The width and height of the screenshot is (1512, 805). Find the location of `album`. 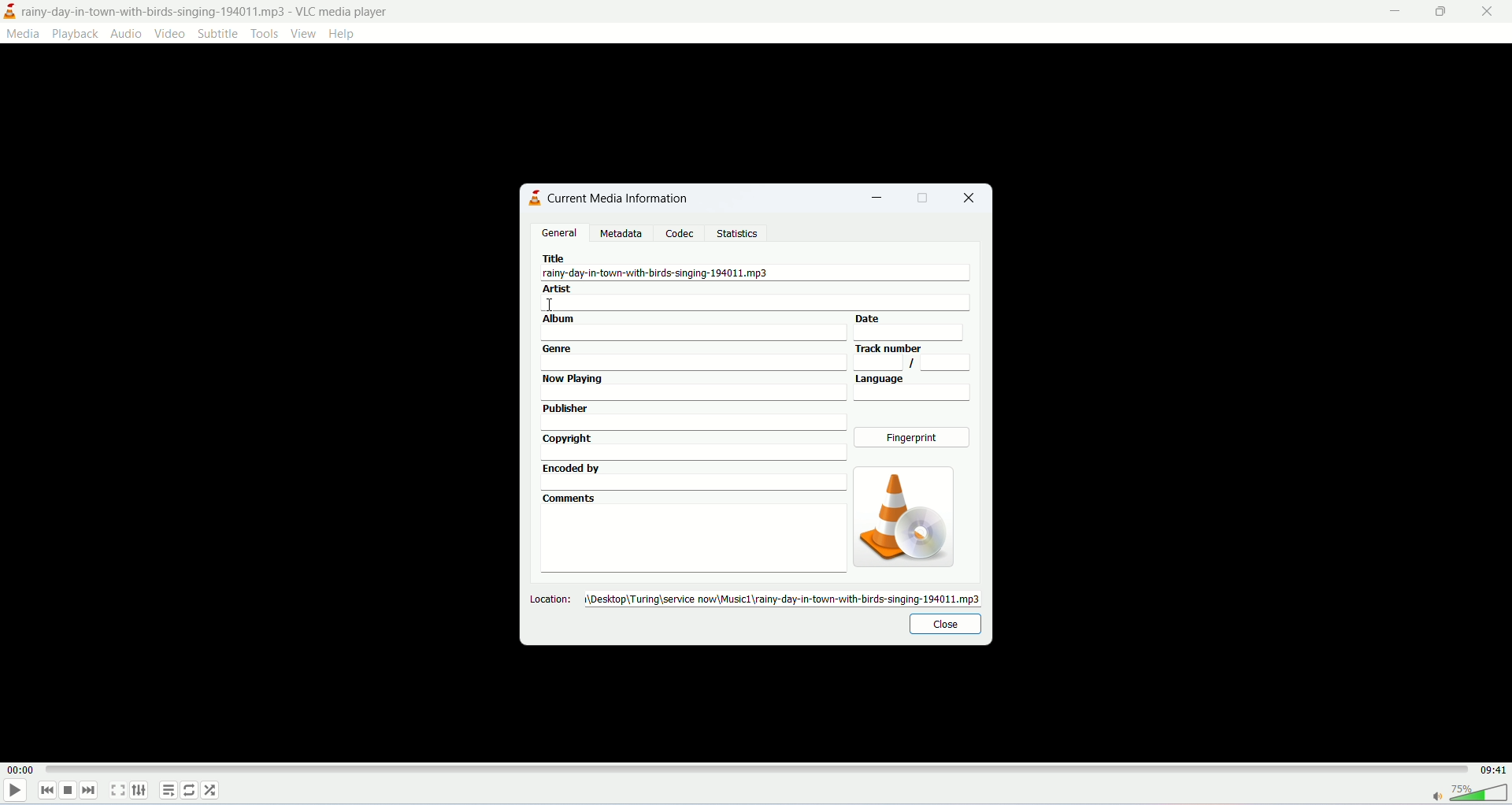

album is located at coordinates (692, 327).